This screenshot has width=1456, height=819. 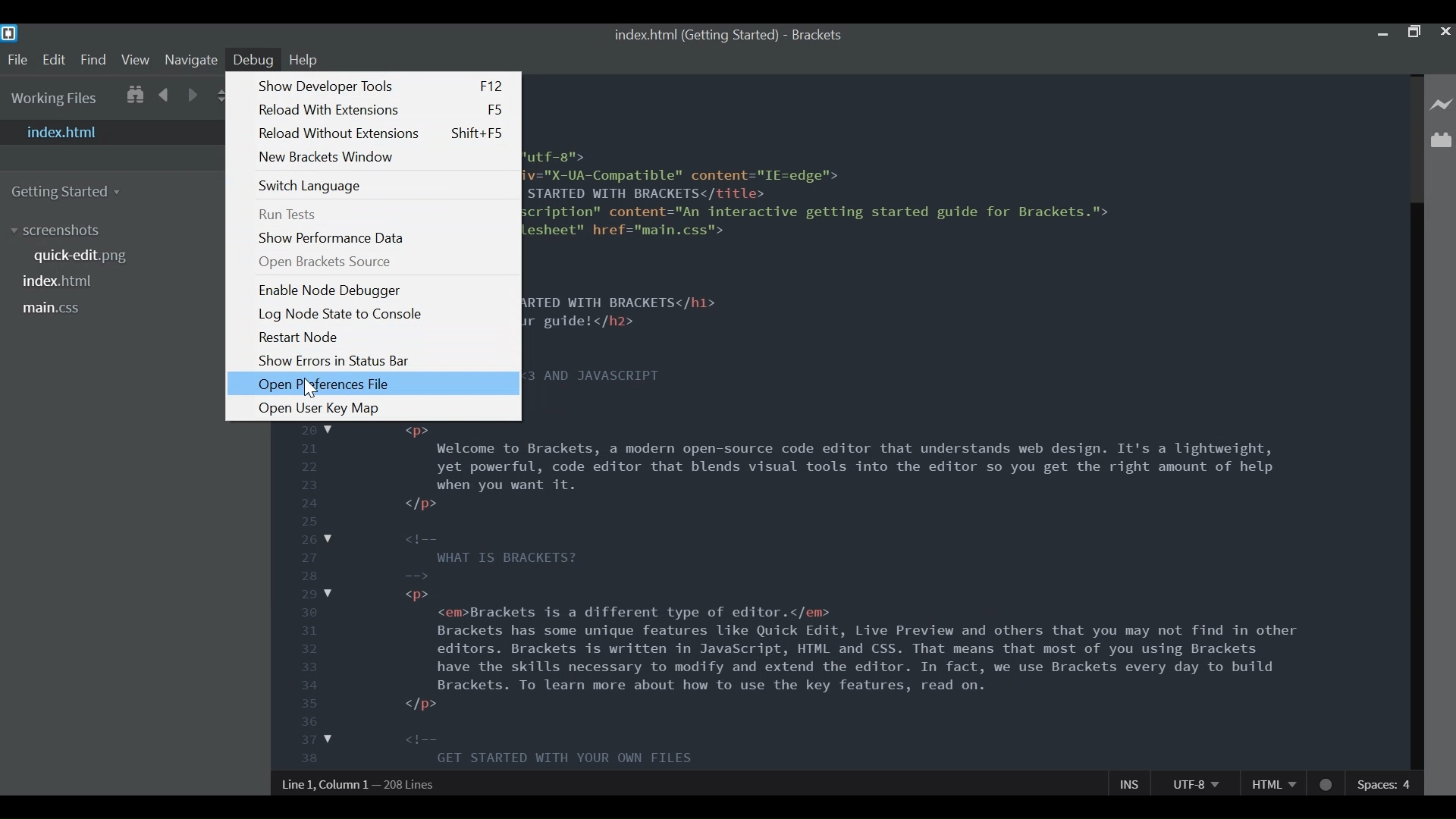 What do you see at coordinates (1385, 783) in the screenshot?
I see `Spaces: 4` at bounding box center [1385, 783].